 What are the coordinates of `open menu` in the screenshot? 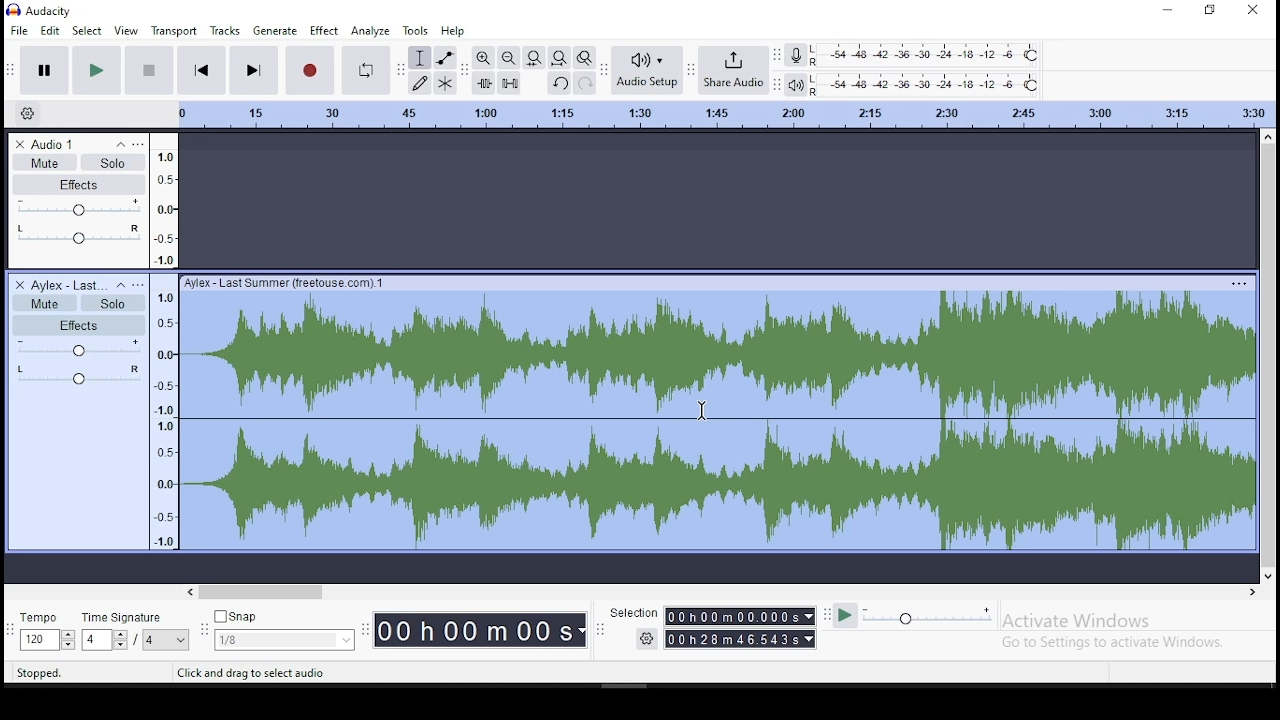 It's located at (143, 145).